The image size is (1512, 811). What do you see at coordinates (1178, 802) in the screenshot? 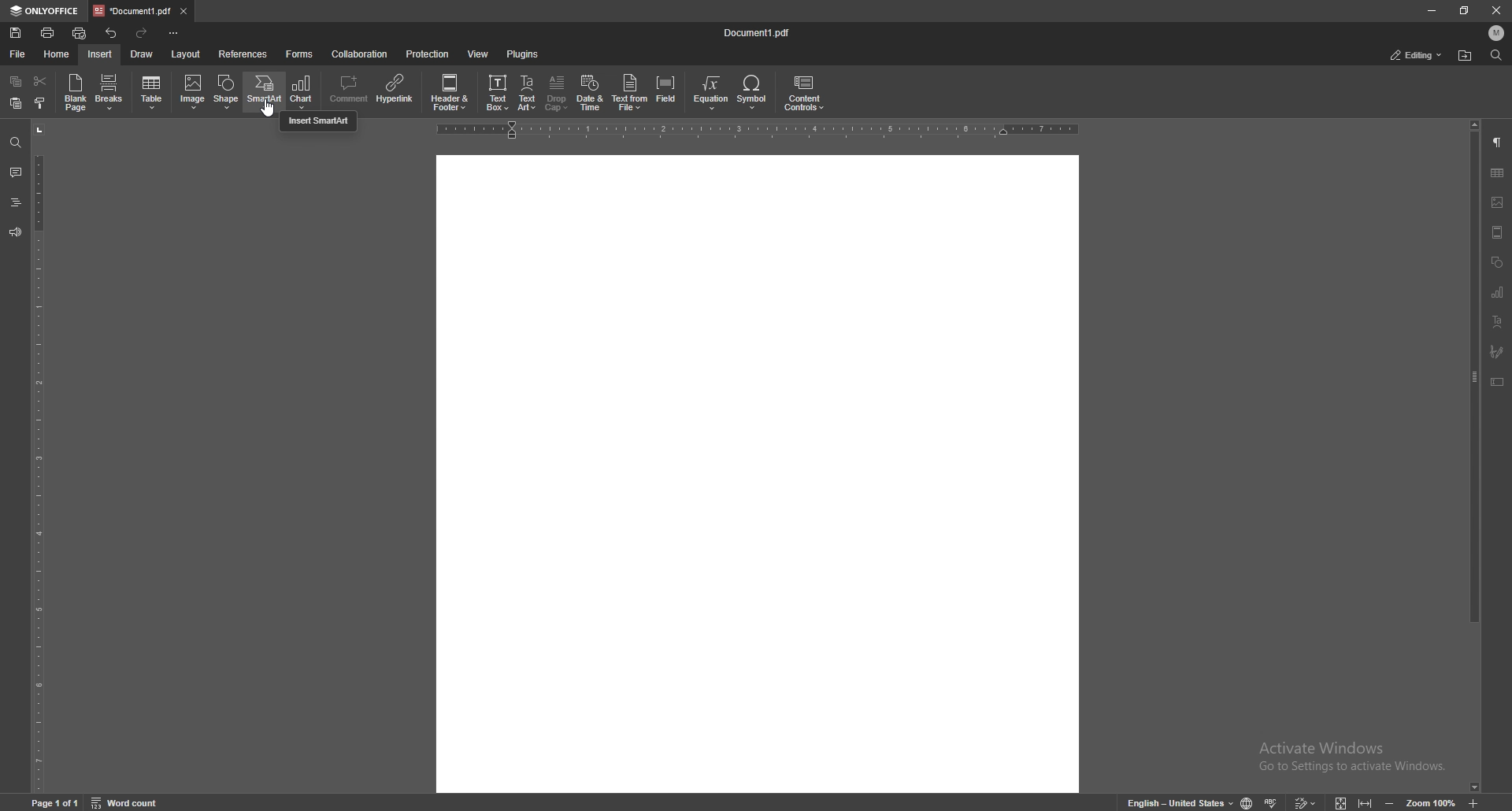
I see `change text language` at bounding box center [1178, 802].